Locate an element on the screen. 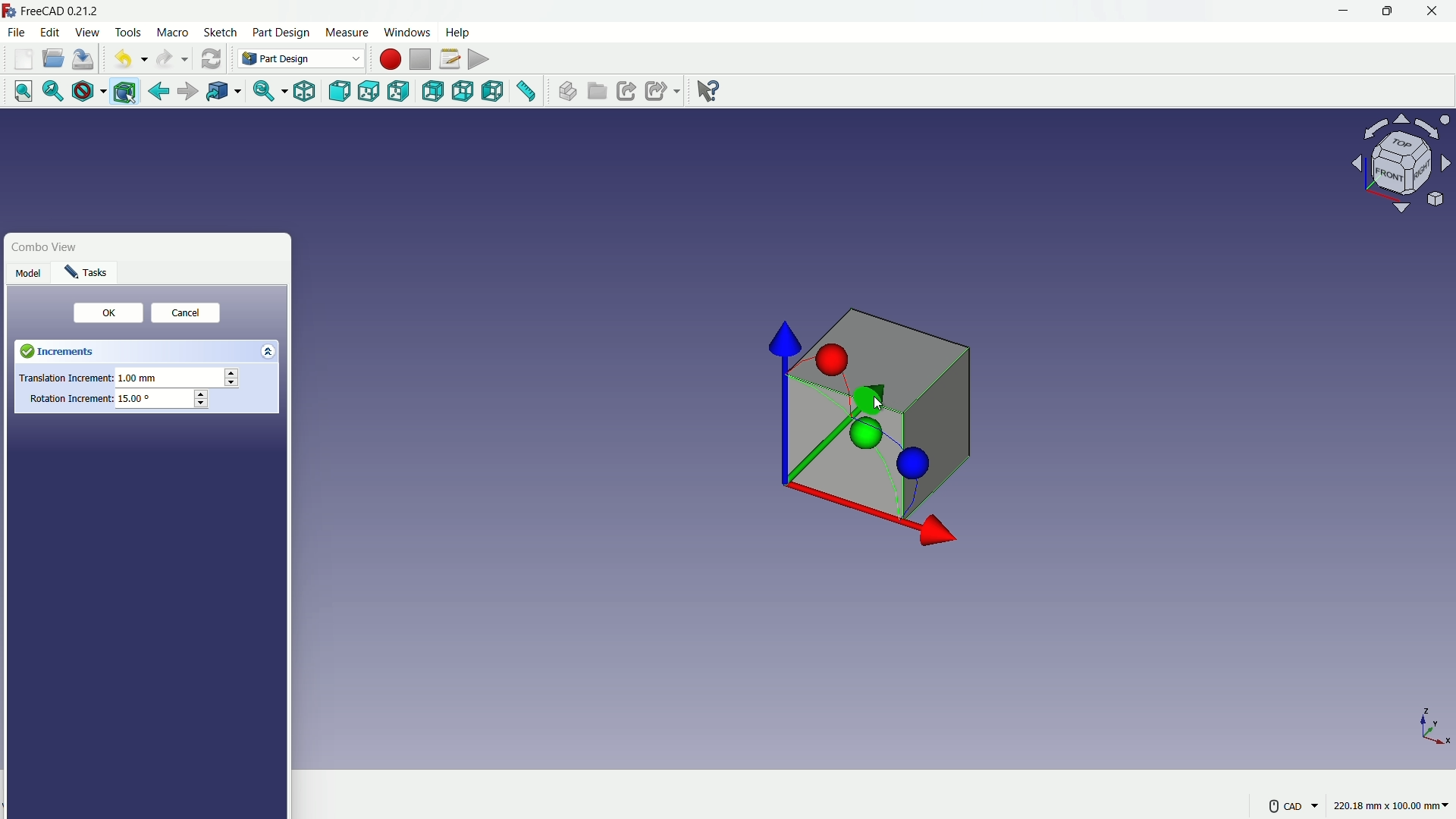 The height and width of the screenshot is (819, 1456). expand is located at coordinates (271, 350).